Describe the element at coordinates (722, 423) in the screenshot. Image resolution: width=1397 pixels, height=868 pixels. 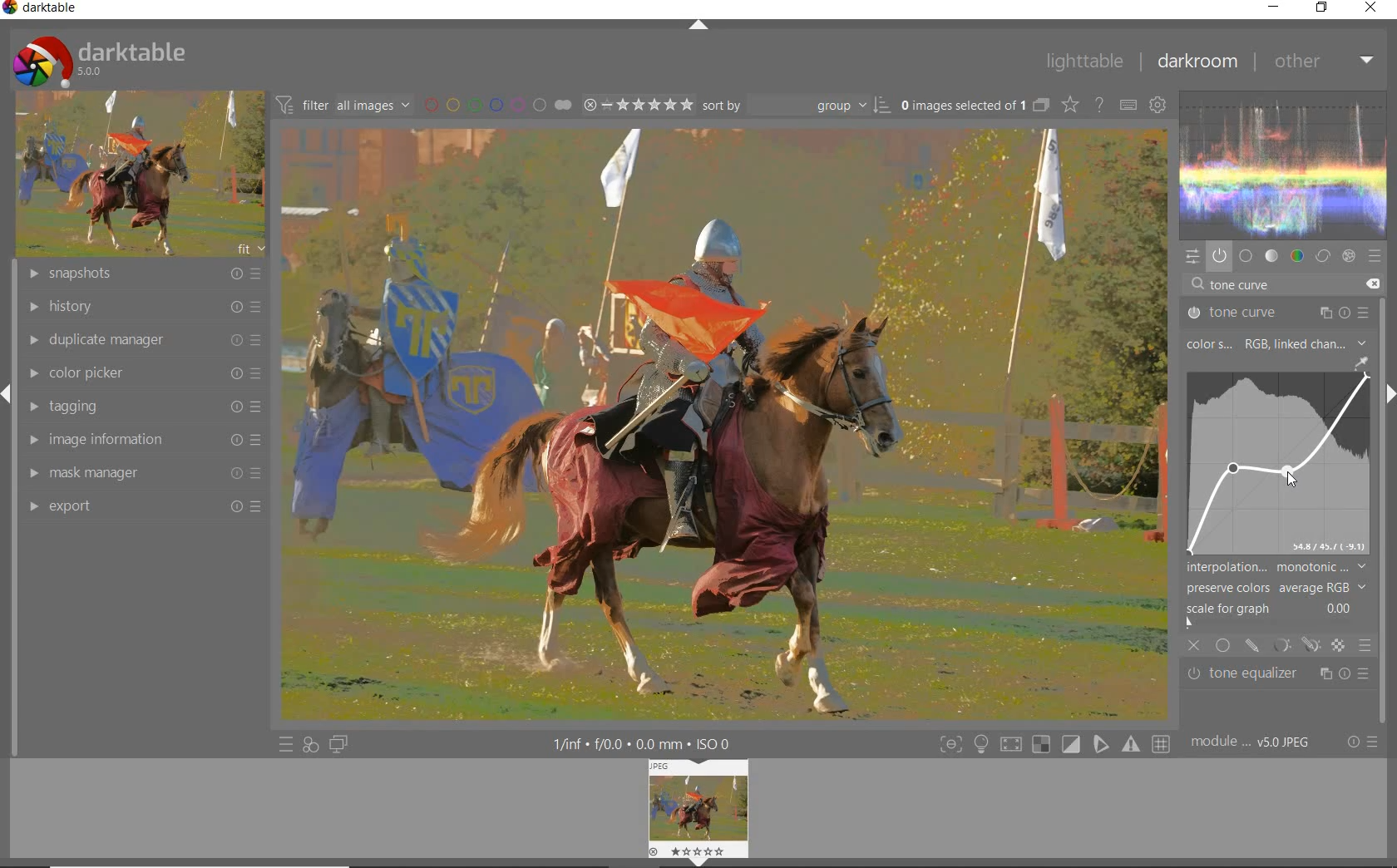
I see `selected image` at that location.